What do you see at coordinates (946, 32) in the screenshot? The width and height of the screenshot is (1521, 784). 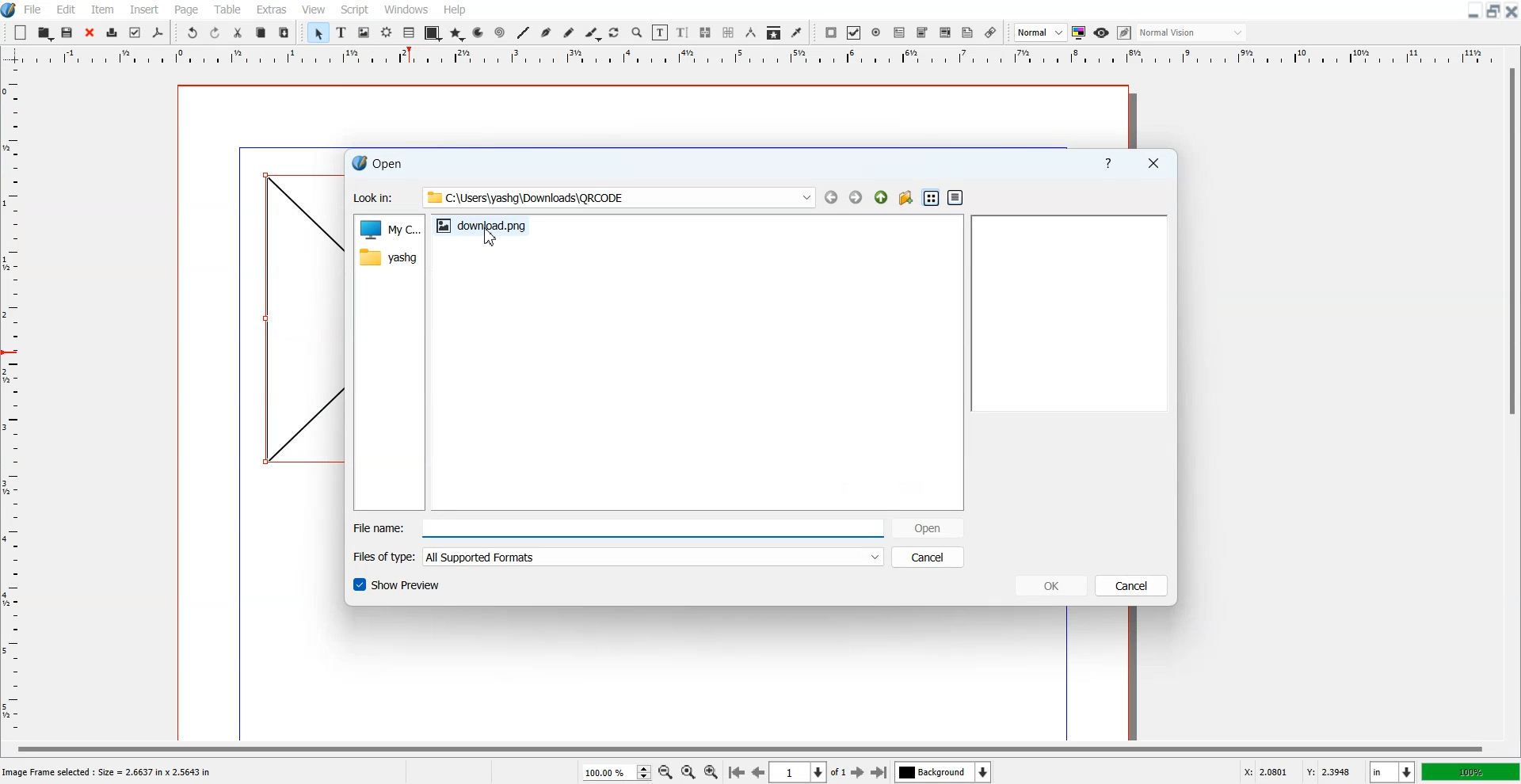 I see `PDF List Box` at bounding box center [946, 32].